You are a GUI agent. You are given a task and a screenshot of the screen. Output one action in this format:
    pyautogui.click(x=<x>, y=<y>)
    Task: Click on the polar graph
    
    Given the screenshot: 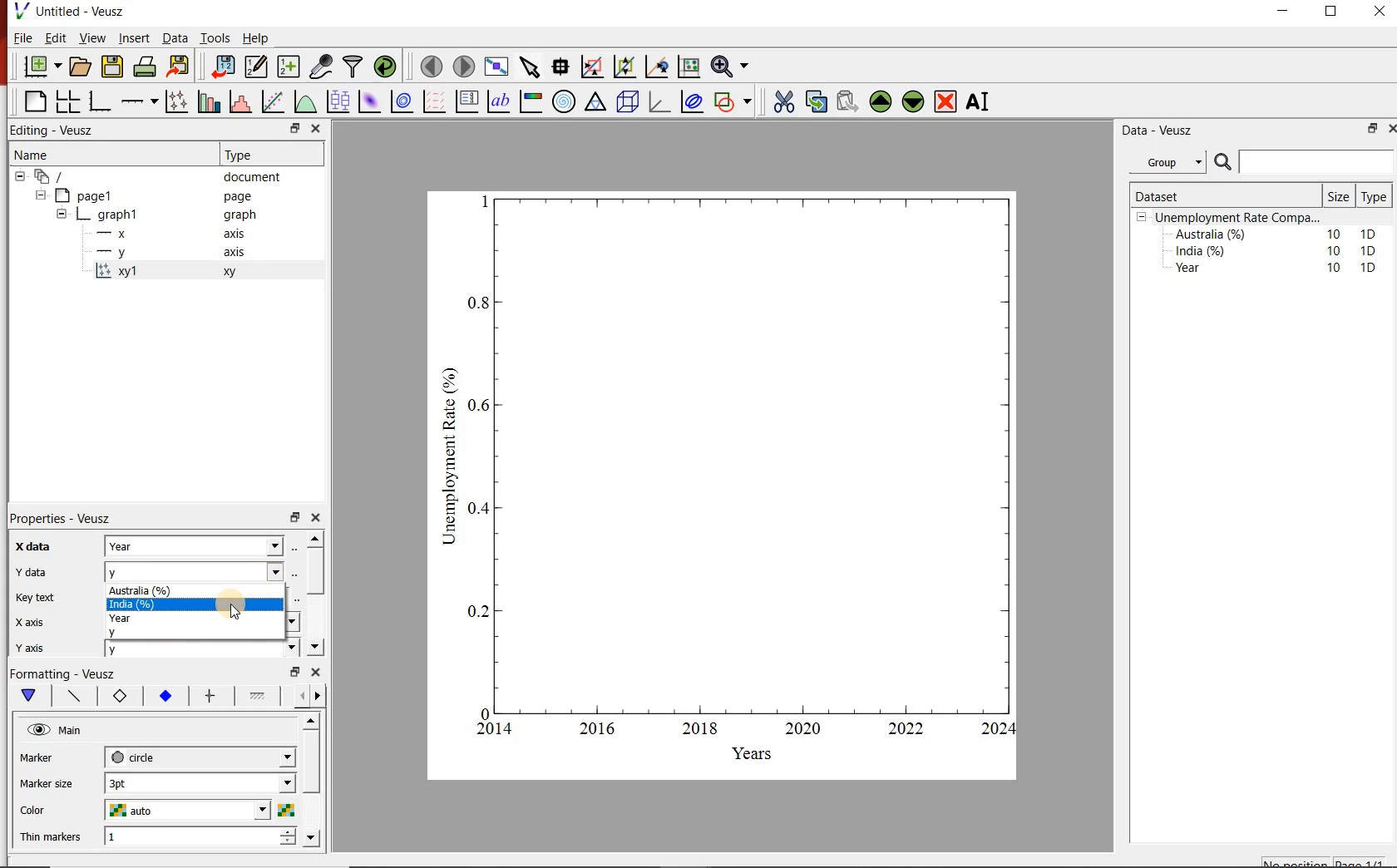 What is the action you would take?
    pyautogui.click(x=565, y=102)
    